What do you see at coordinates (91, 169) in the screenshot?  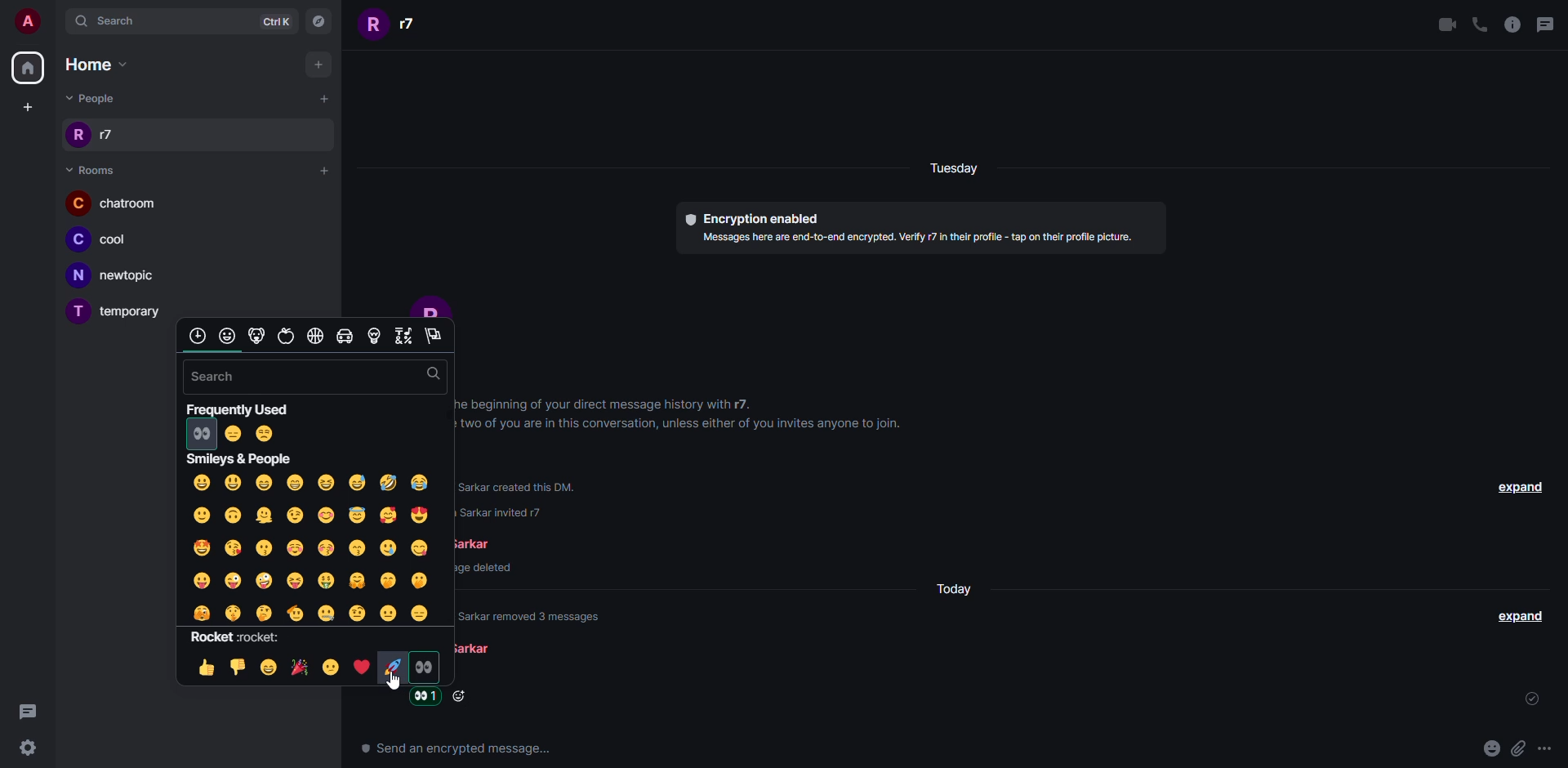 I see `room` at bounding box center [91, 169].